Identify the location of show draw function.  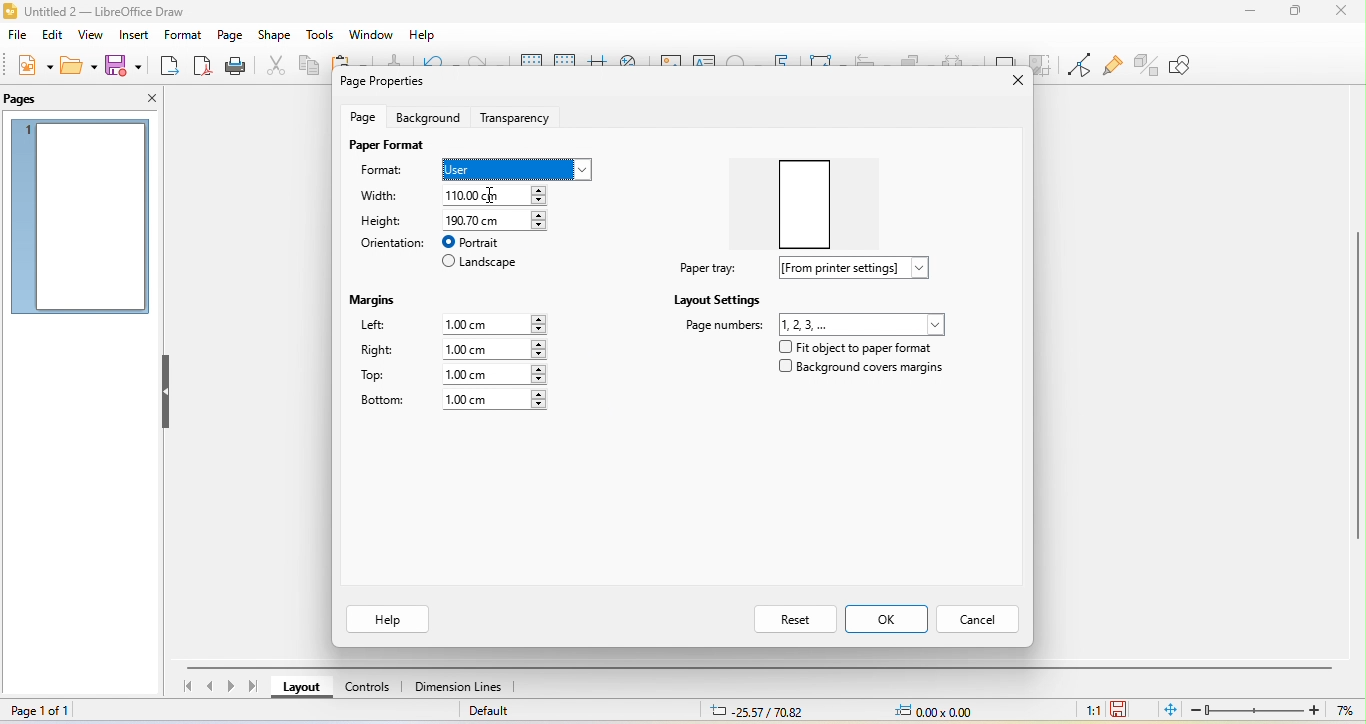
(1195, 65).